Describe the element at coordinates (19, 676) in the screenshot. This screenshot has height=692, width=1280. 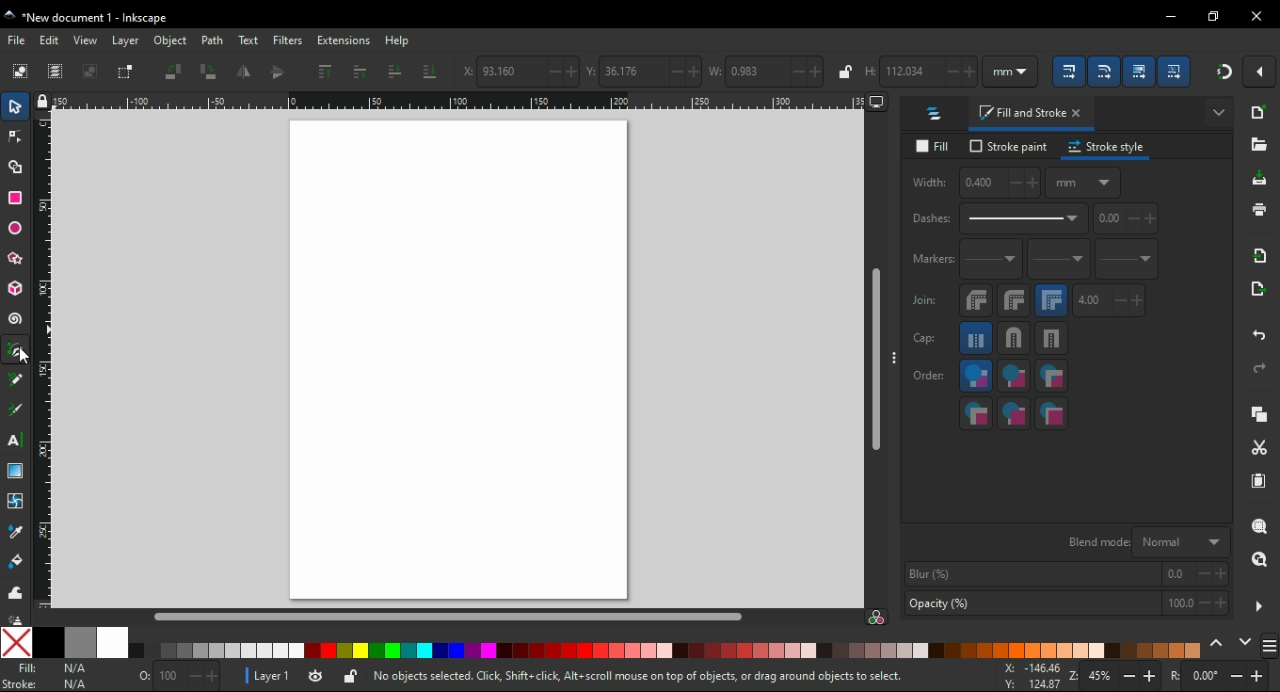
I see `Fill Stroke` at that location.